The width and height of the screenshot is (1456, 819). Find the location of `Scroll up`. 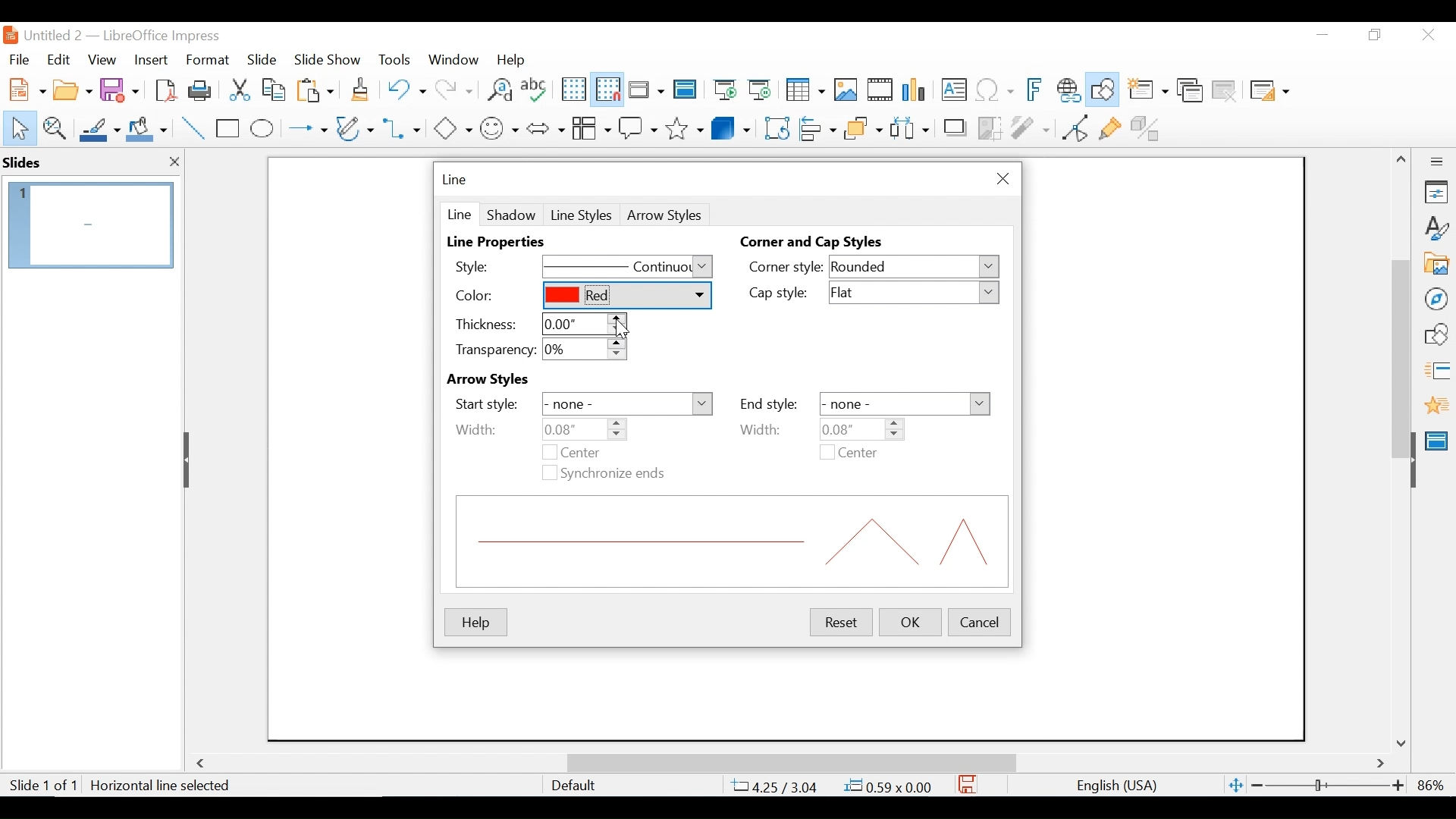

Scroll up is located at coordinates (1402, 159).